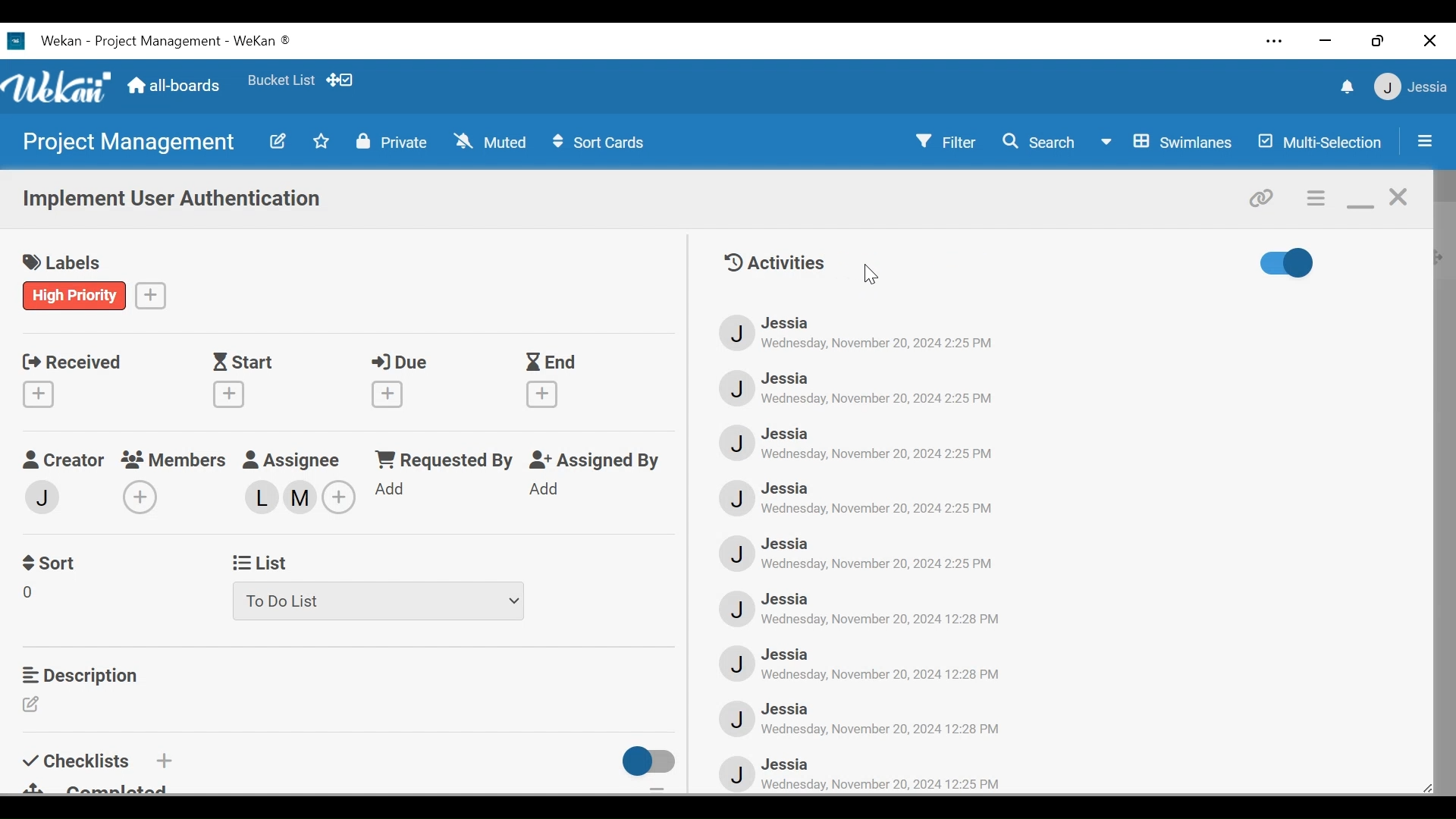  I want to click on Edit, so click(276, 140).